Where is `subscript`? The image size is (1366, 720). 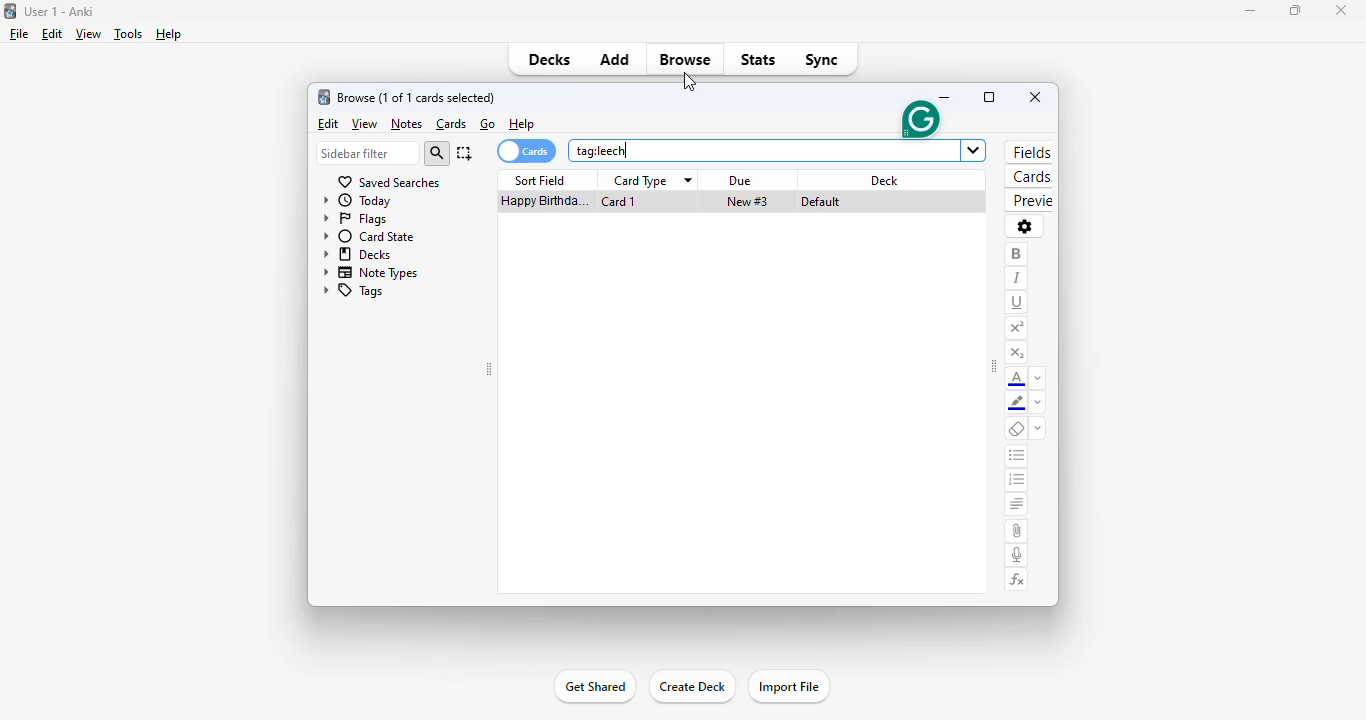 subscript is located at coordinates (1017, 353).